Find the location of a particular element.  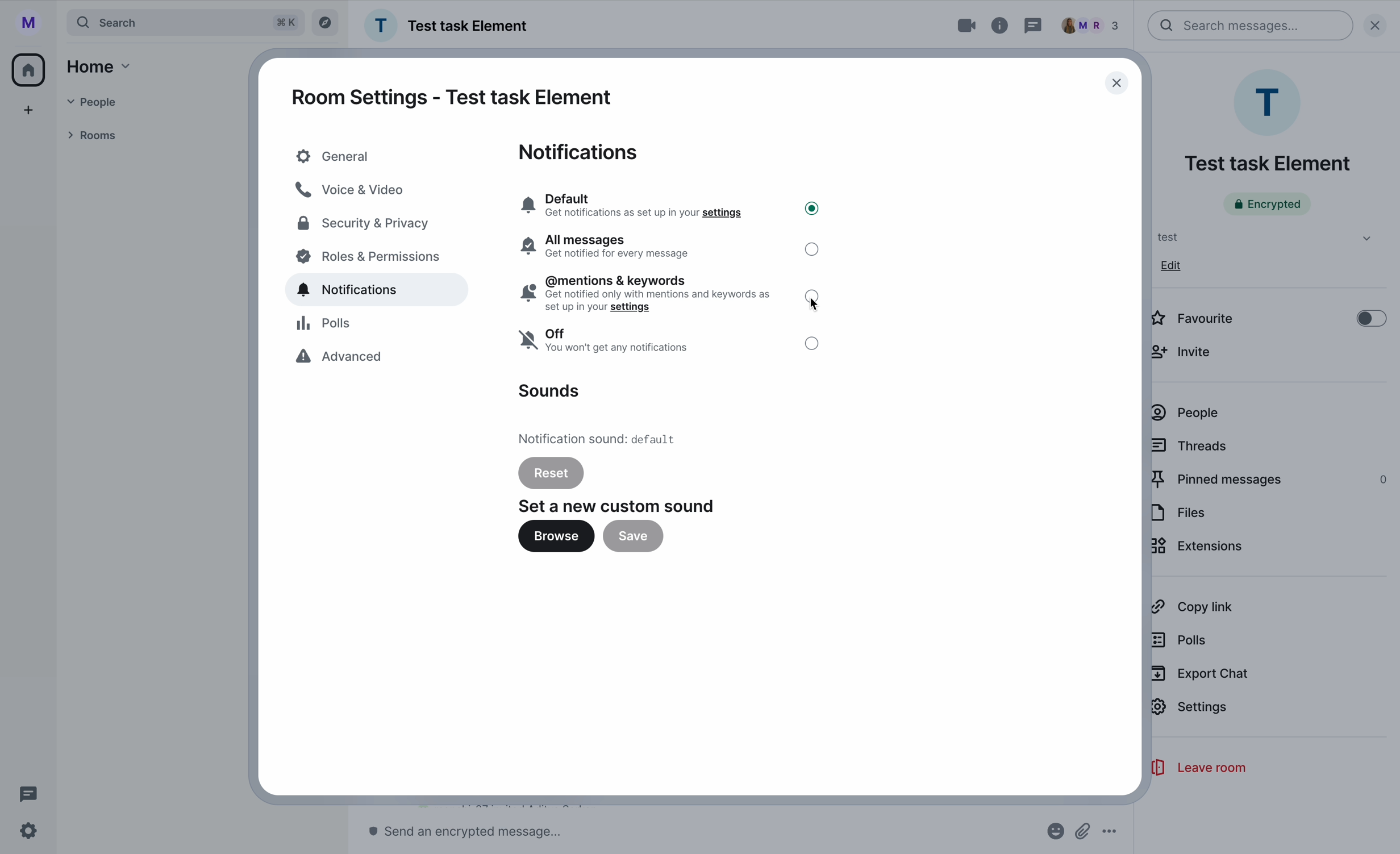

profile is located at coordinates (26, 21).